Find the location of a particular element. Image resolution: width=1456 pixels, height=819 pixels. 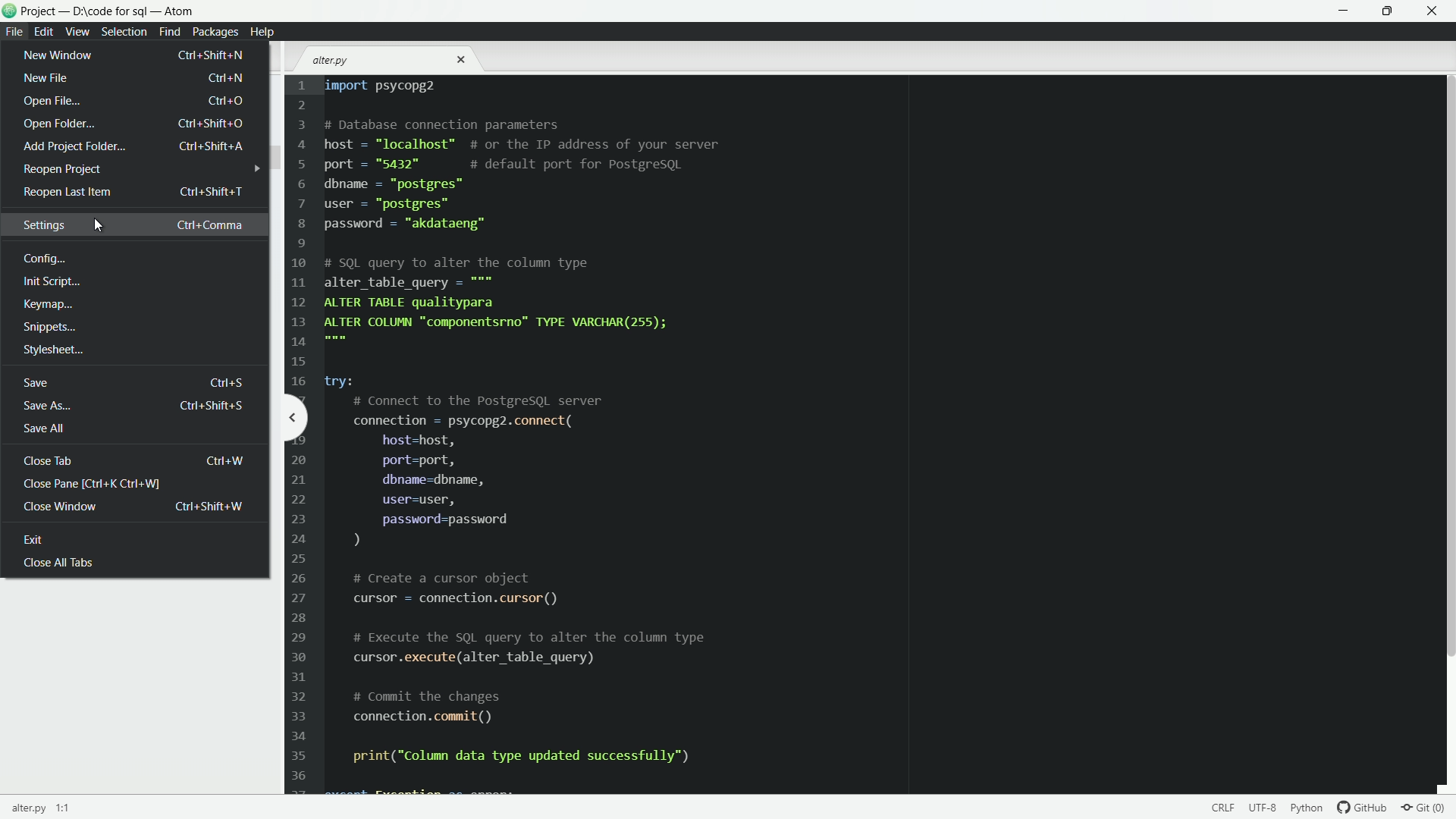

close file is located at coordinates (463, 60).